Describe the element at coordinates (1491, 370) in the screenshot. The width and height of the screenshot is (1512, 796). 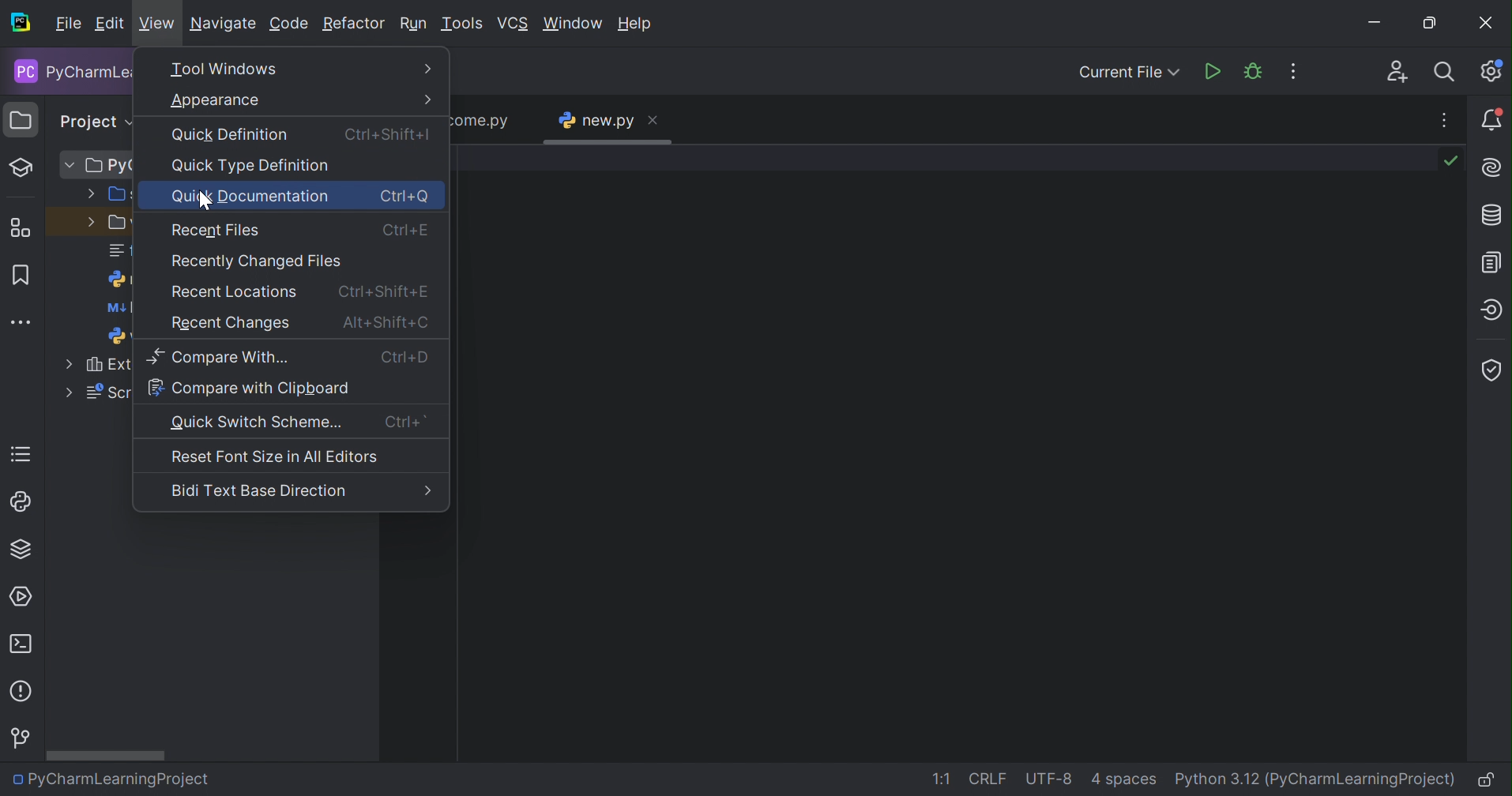
I see `Coverage` at that location.